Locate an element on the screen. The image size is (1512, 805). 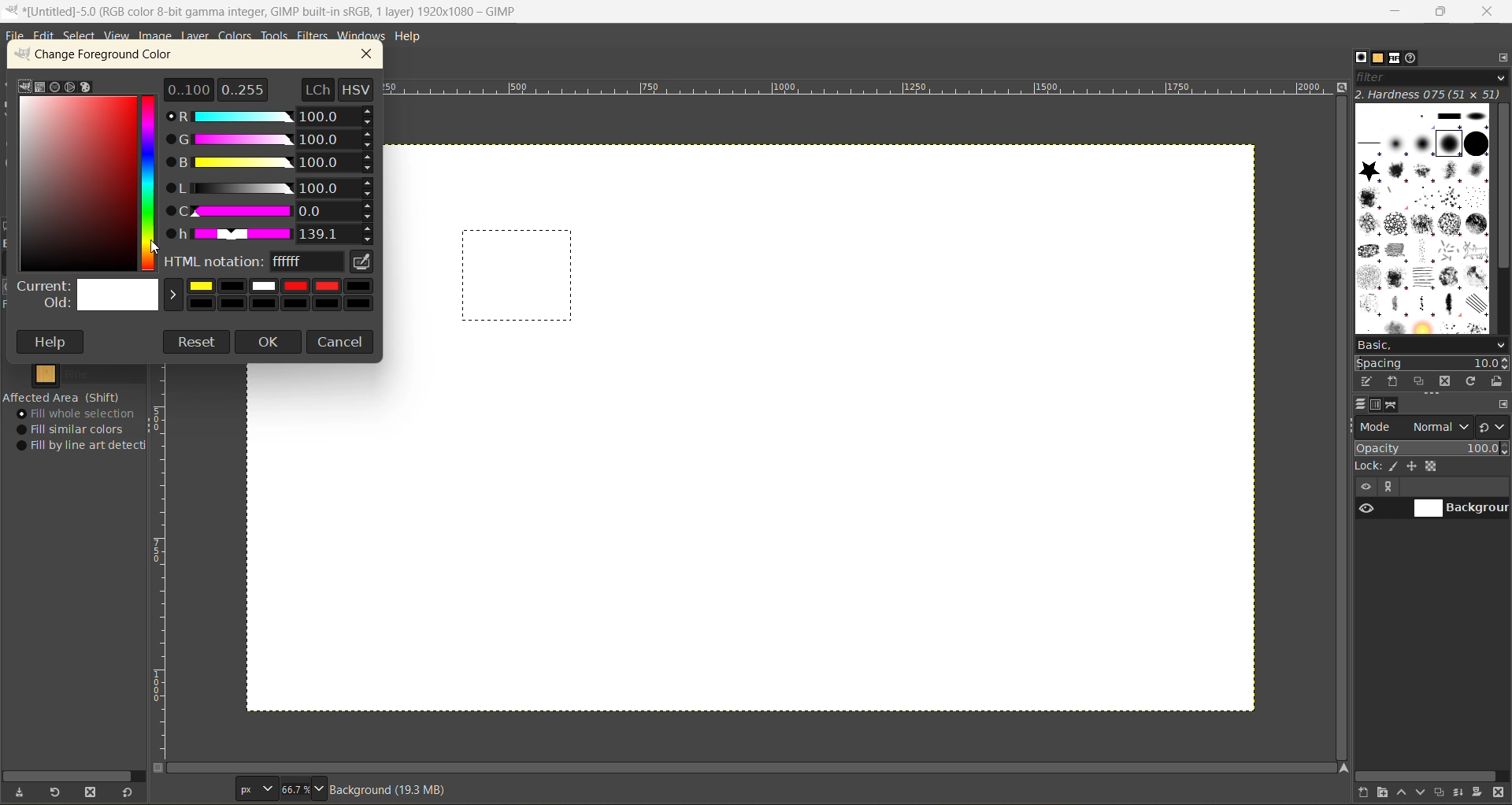
opacity is located at coordinates (1432, 448).